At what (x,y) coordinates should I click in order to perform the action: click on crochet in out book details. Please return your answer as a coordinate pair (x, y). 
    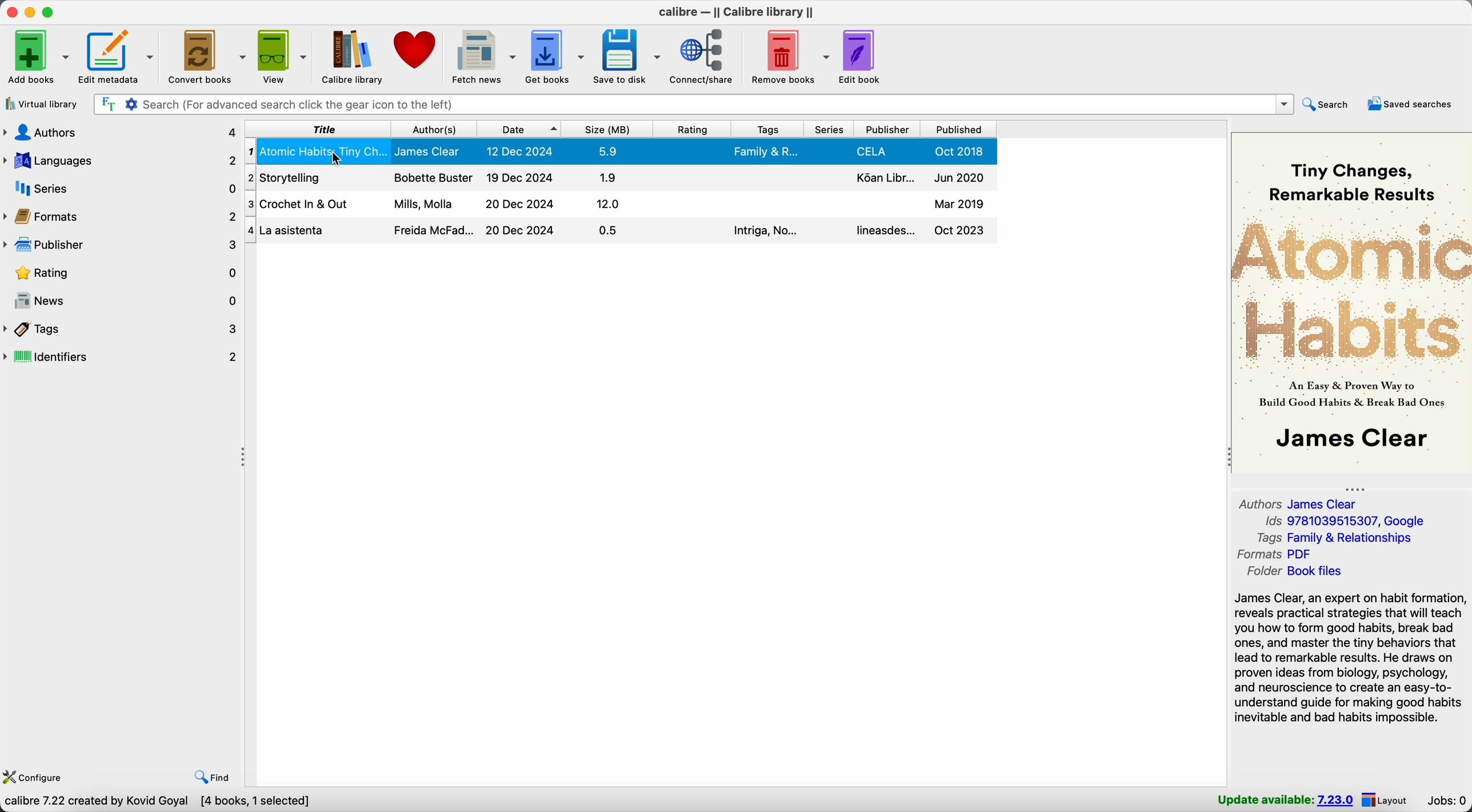
    Looking at the image, I should click on (619, 204).